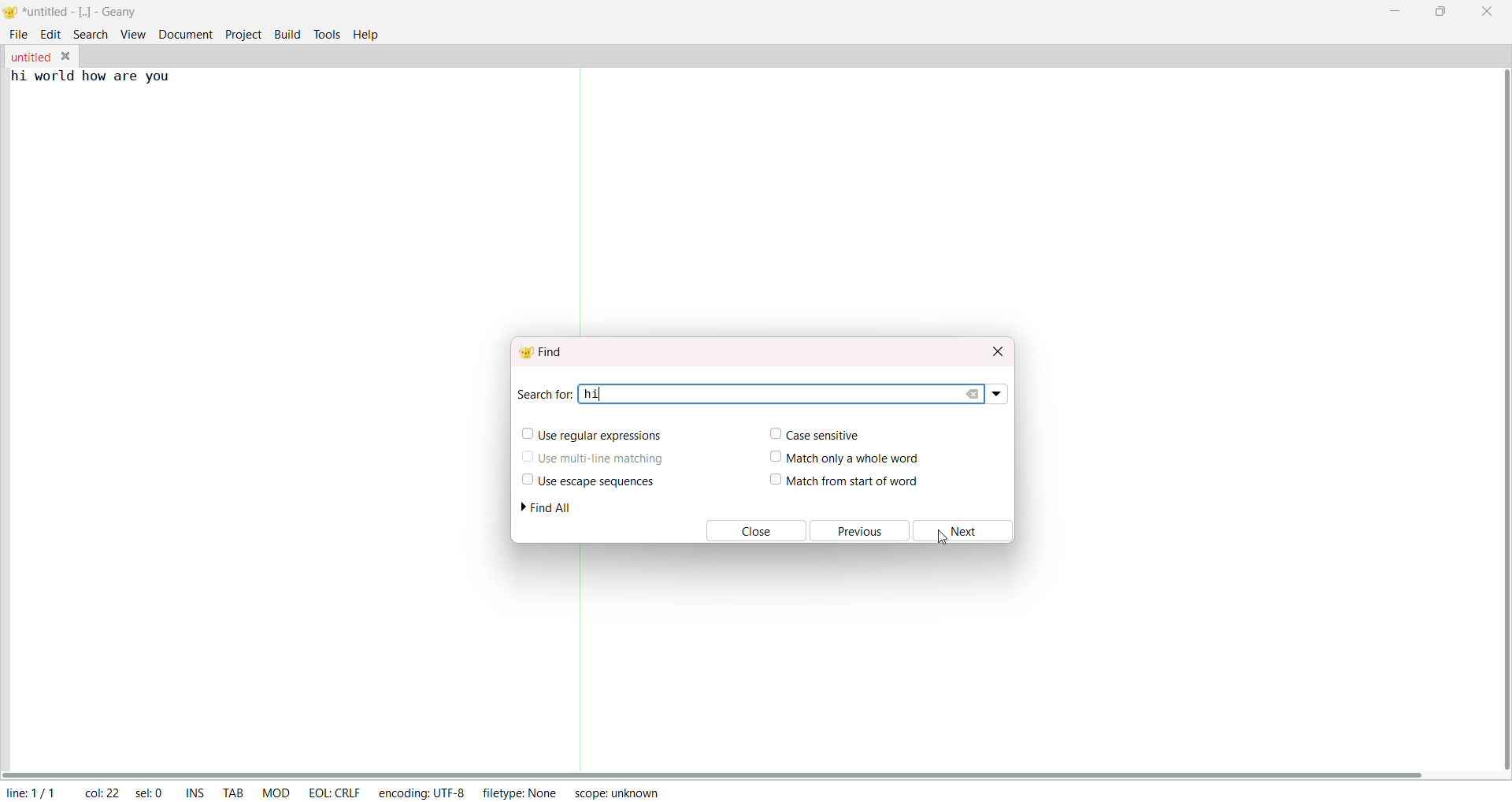 This screenshot has width=1512, height=802. What do you see at coordinates (93, 77) in the screenshot?
I see `hi world how are you` at bounding box center [93, 77].